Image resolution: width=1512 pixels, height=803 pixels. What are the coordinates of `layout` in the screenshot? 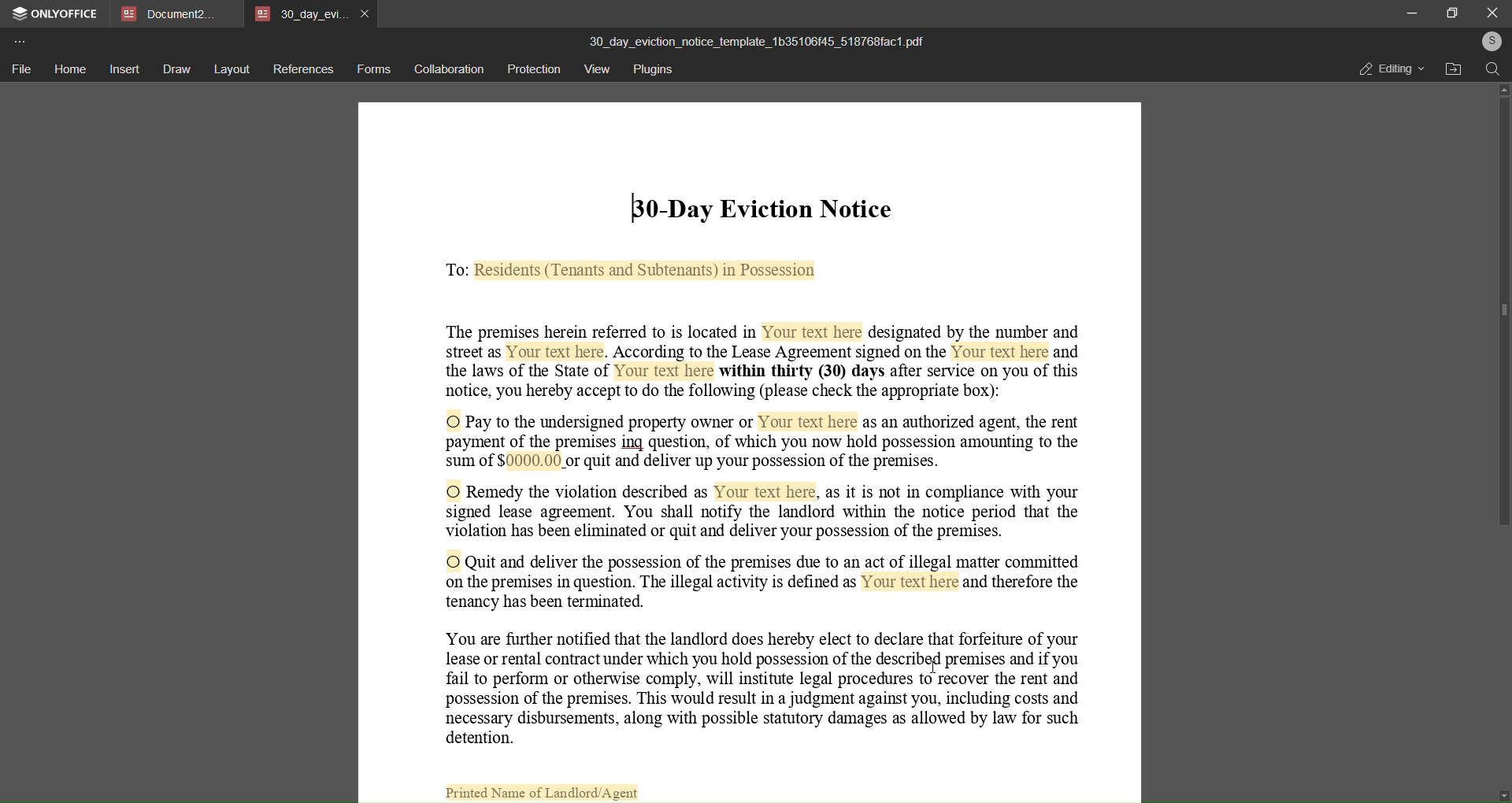 It's located at (232, 70).